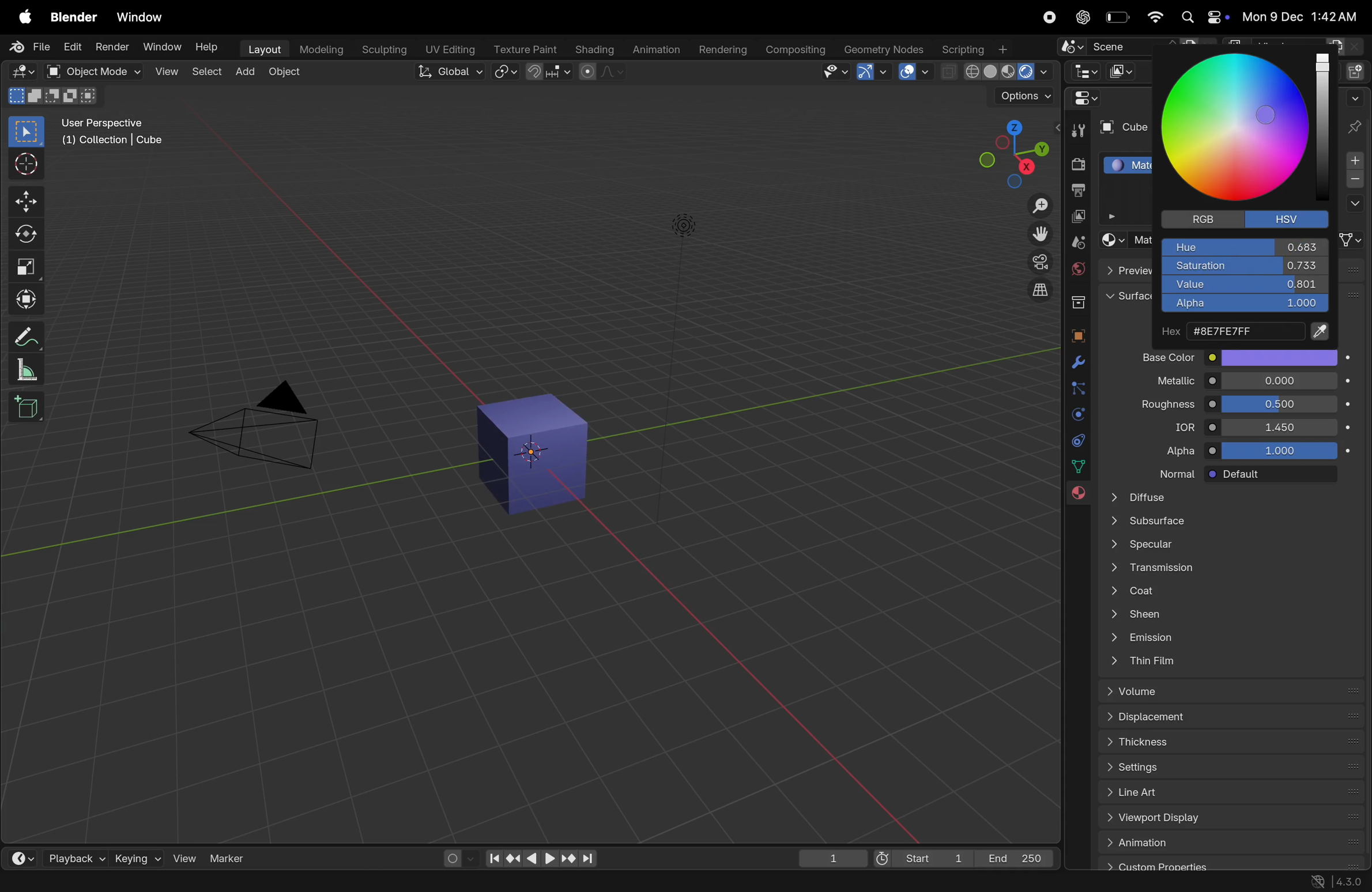  Describe the element at coordinates (1352, 240) in the screenshot. I see `link` at that location.